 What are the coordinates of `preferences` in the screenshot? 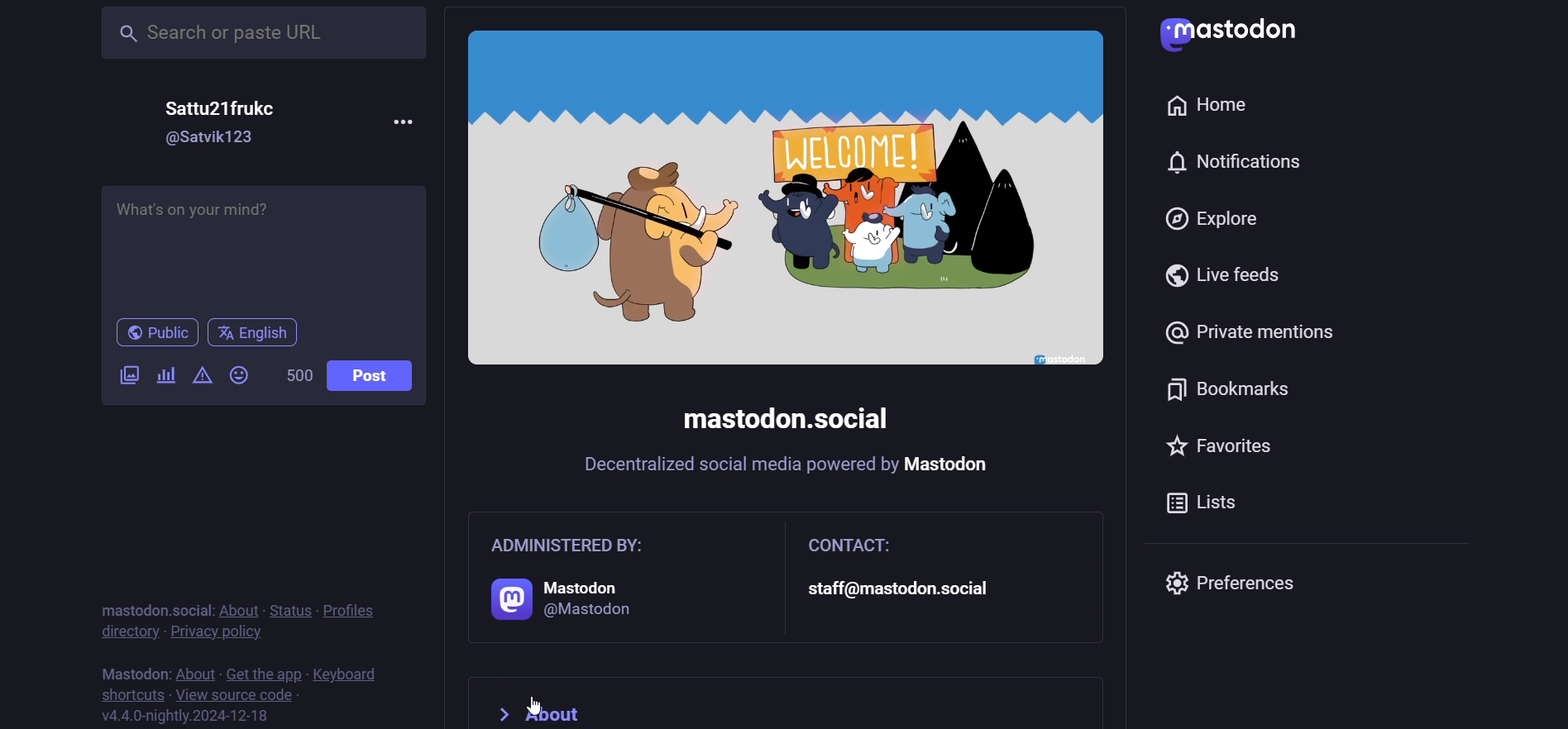 It's located at (1241, 583).